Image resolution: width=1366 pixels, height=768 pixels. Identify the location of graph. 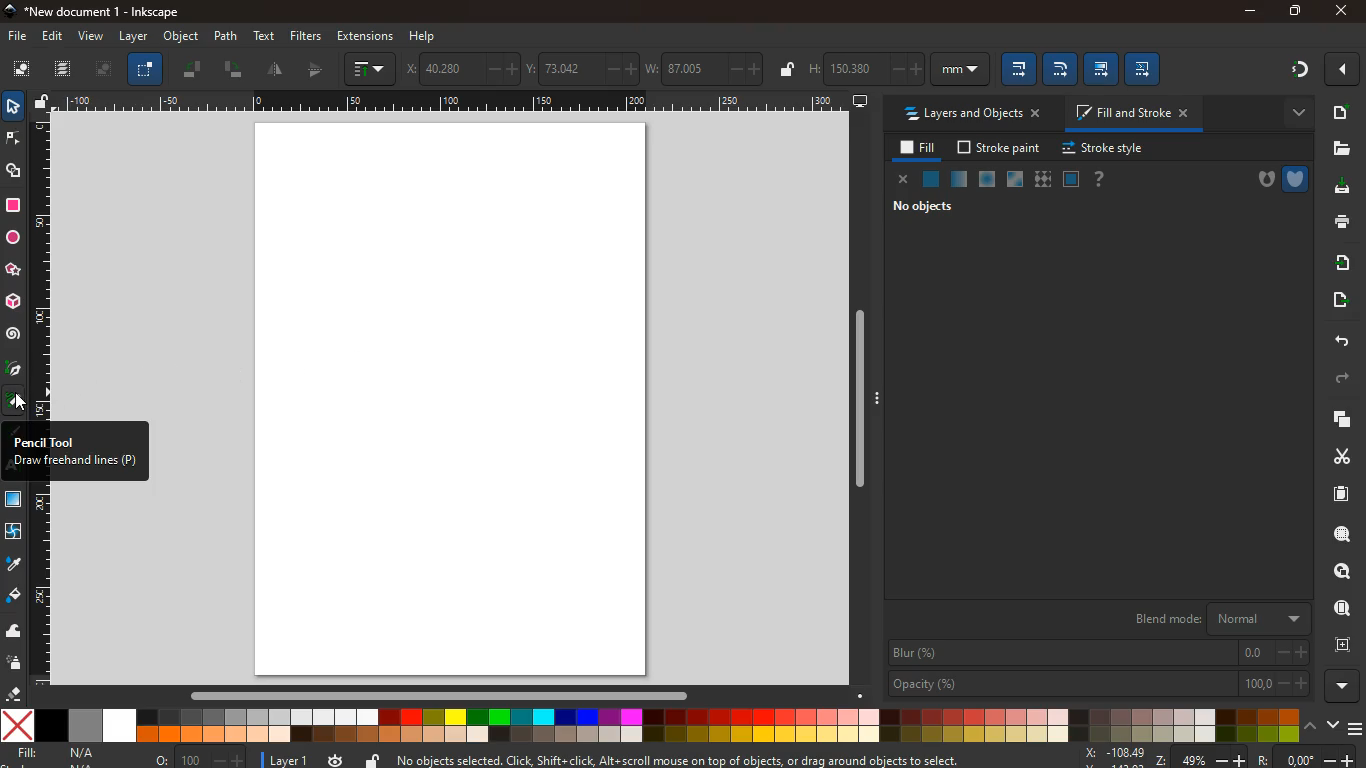
(371, 70).